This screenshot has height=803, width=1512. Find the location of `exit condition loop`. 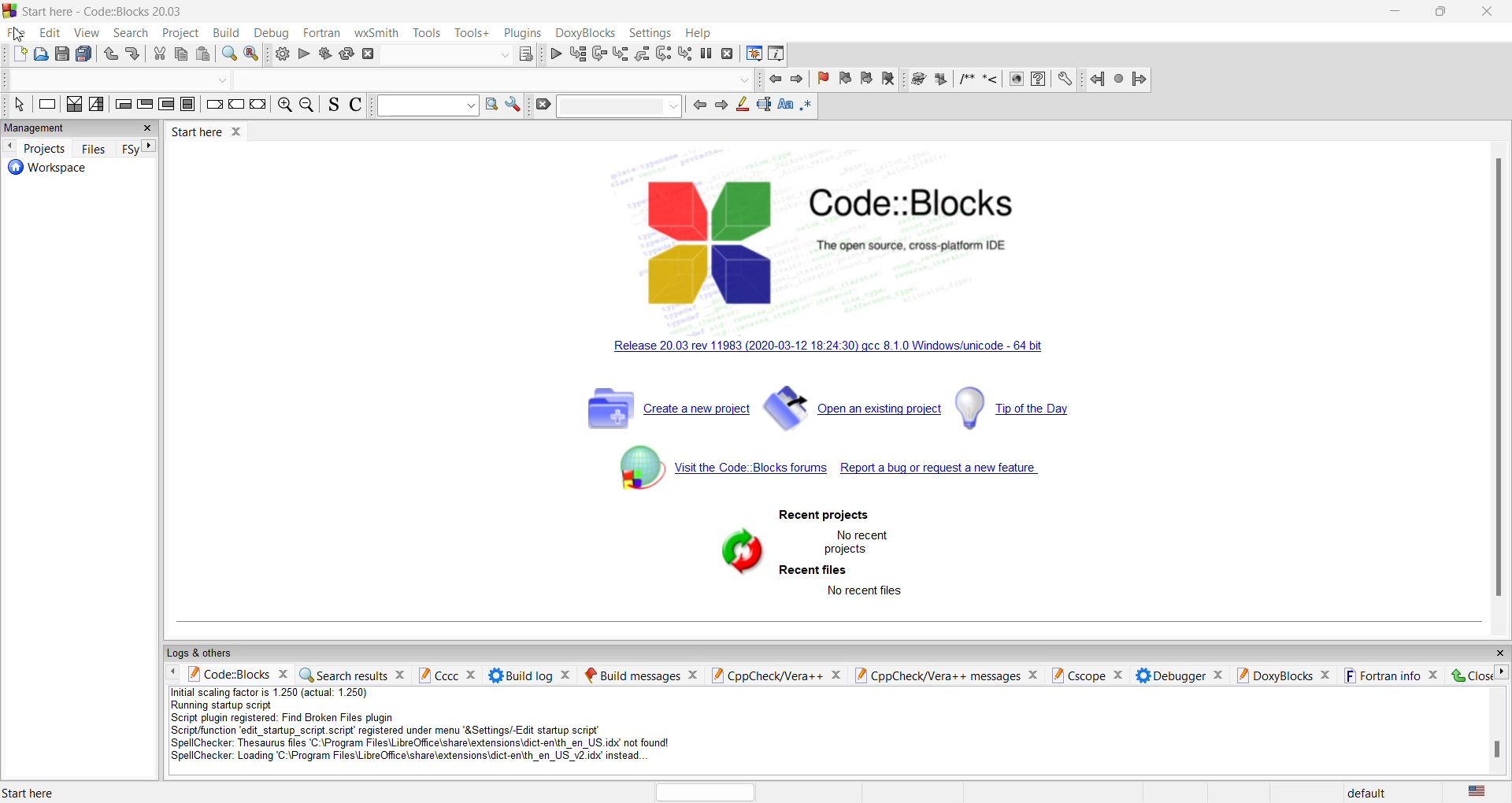

exit condition loop is located at coordinates (146, 109).